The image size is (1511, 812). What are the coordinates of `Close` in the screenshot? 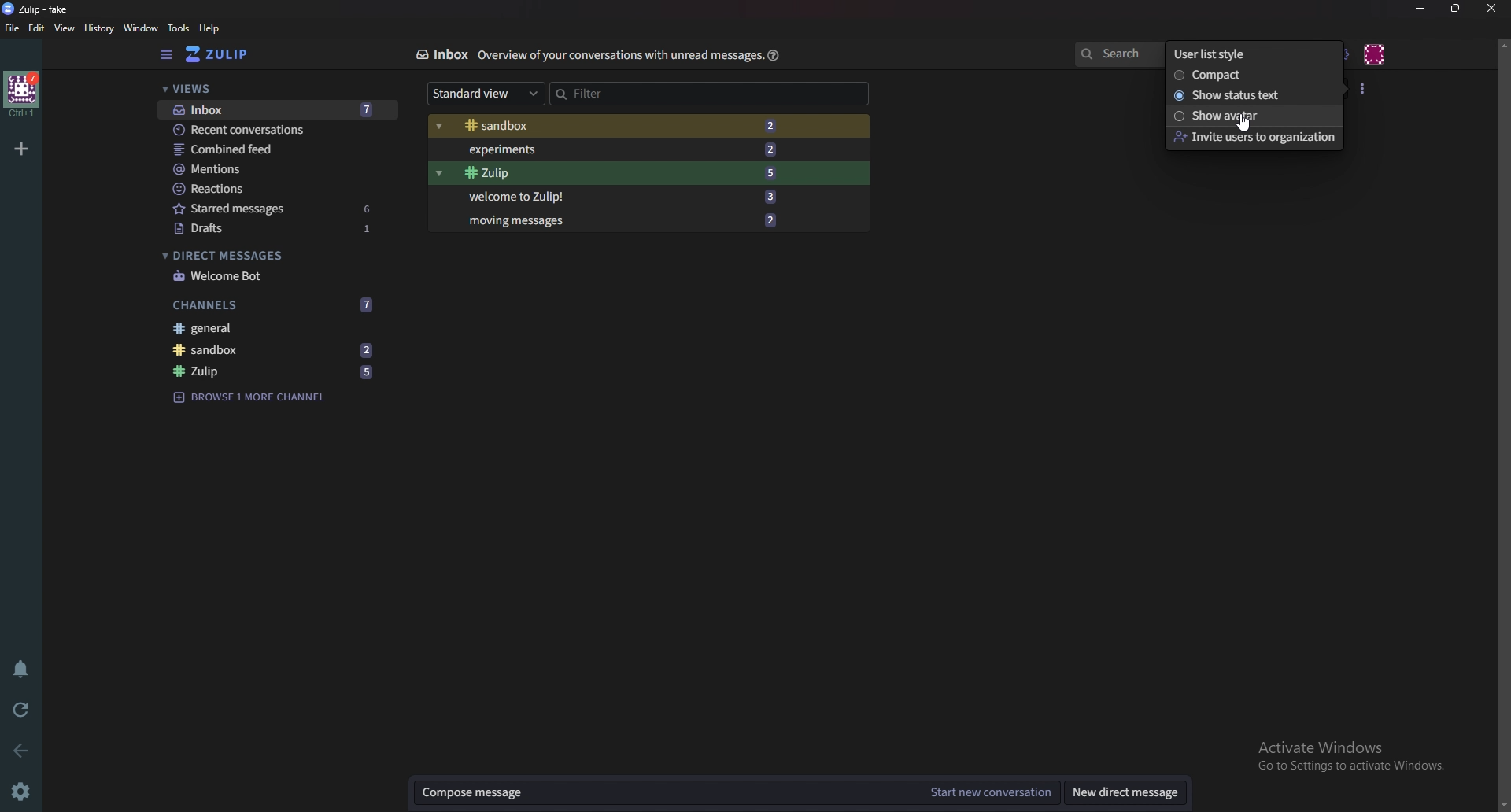 It's located at (1491, 9).